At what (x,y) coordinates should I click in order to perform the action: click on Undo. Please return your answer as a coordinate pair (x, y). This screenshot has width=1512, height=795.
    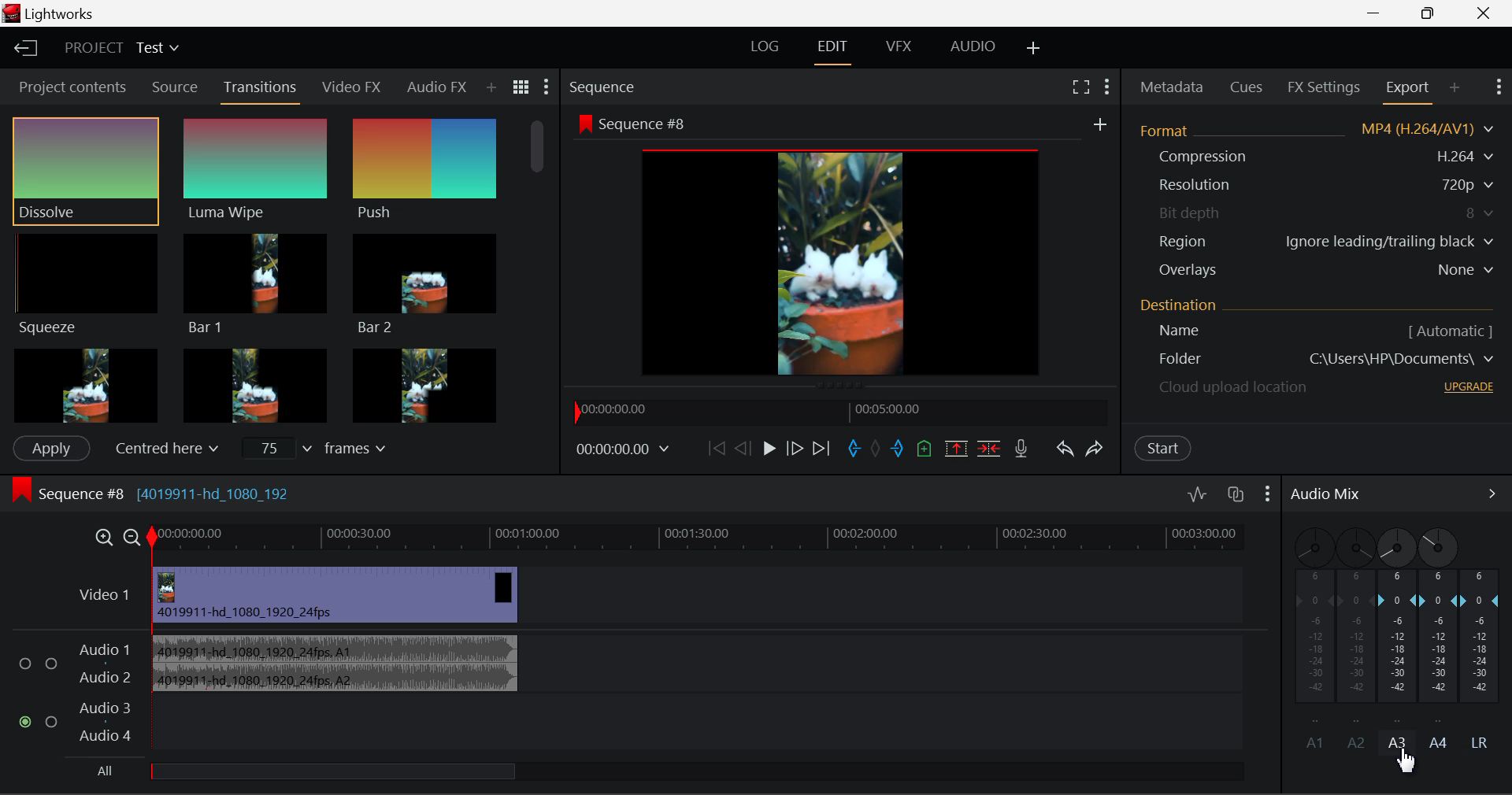
    Looking at the image, I should click on (1064, 448).